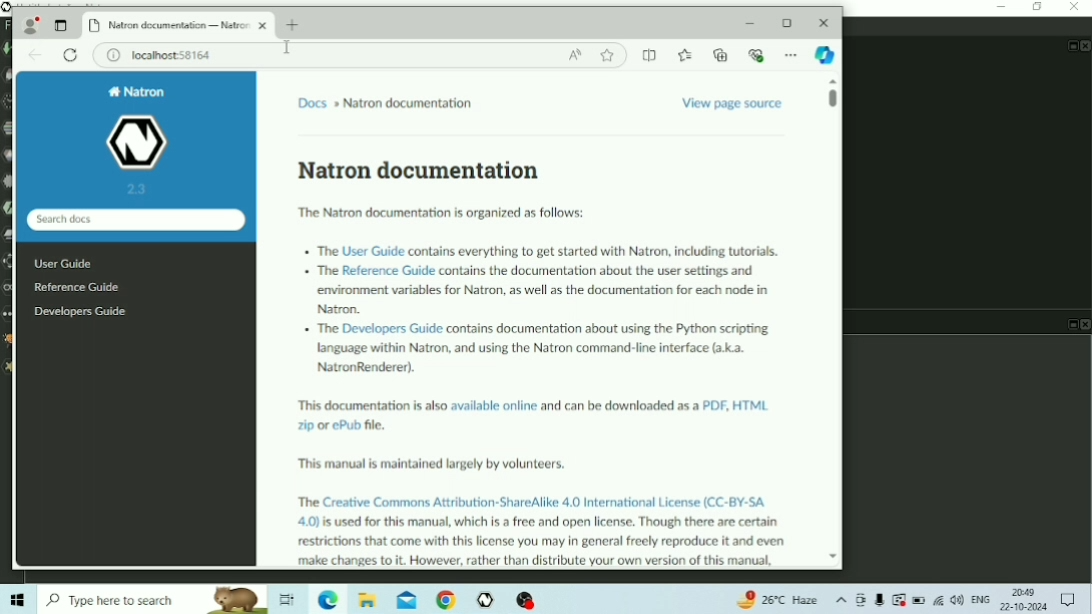 The width and height of the screenshot is (1092, 614). Describe the element at coordinates (777, 600) in the screenshot. I see `Temperature` at that location.